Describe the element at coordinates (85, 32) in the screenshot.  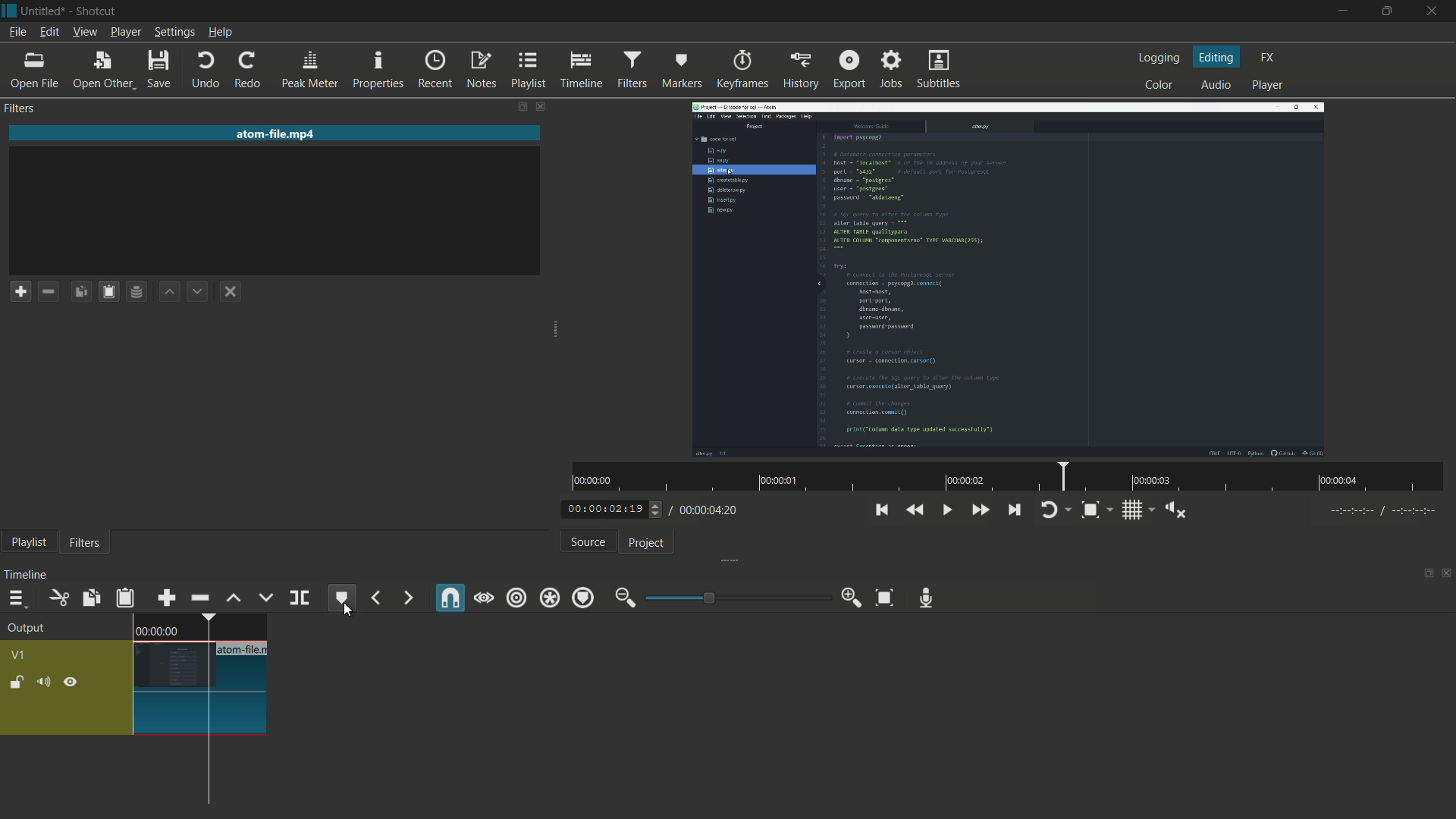
I see `view menu` at that location.